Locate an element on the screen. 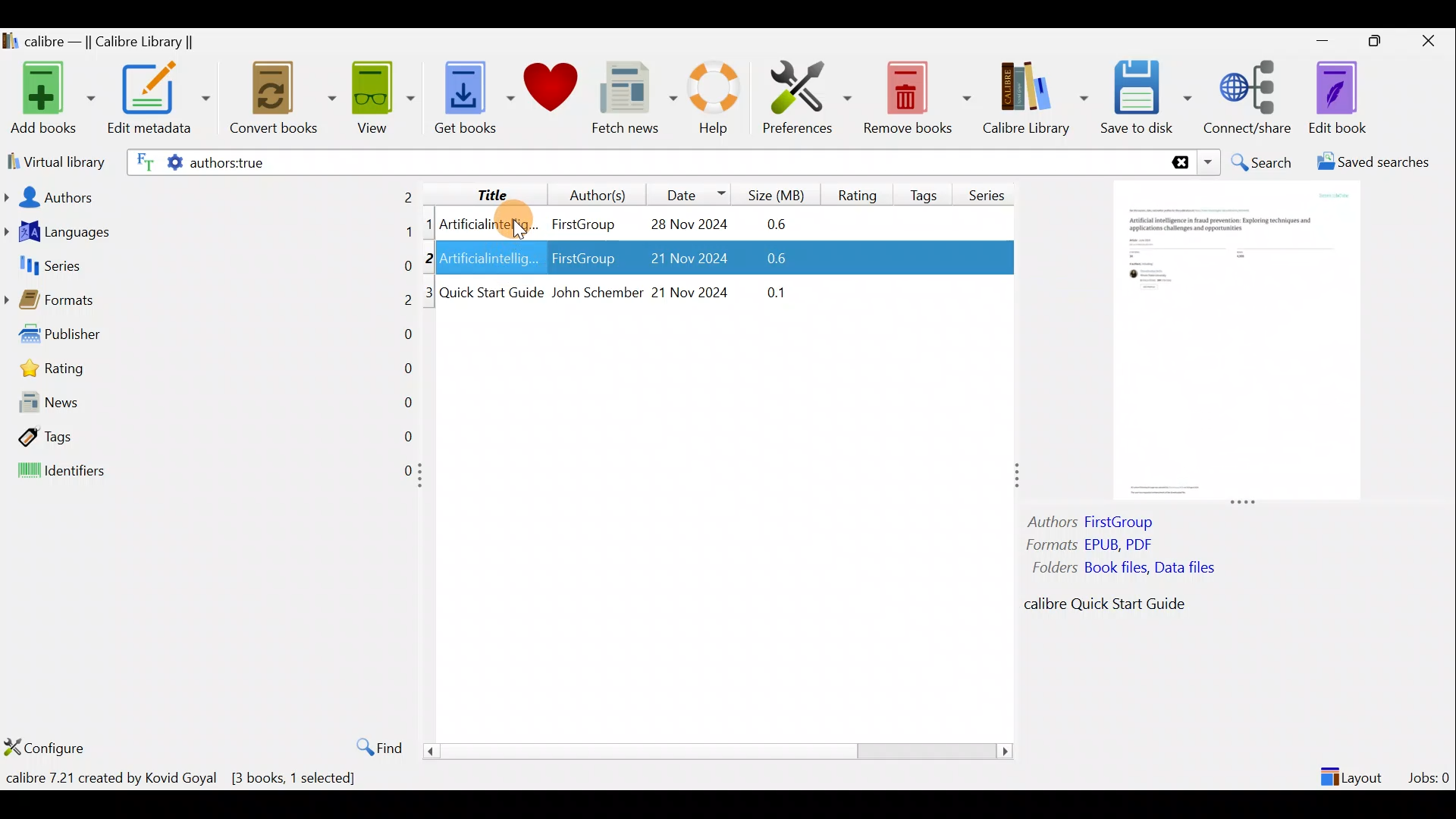 Image resolution: width=1456 pixels, height=819 pixels. Edit book is located at coordinates (1335, 99).